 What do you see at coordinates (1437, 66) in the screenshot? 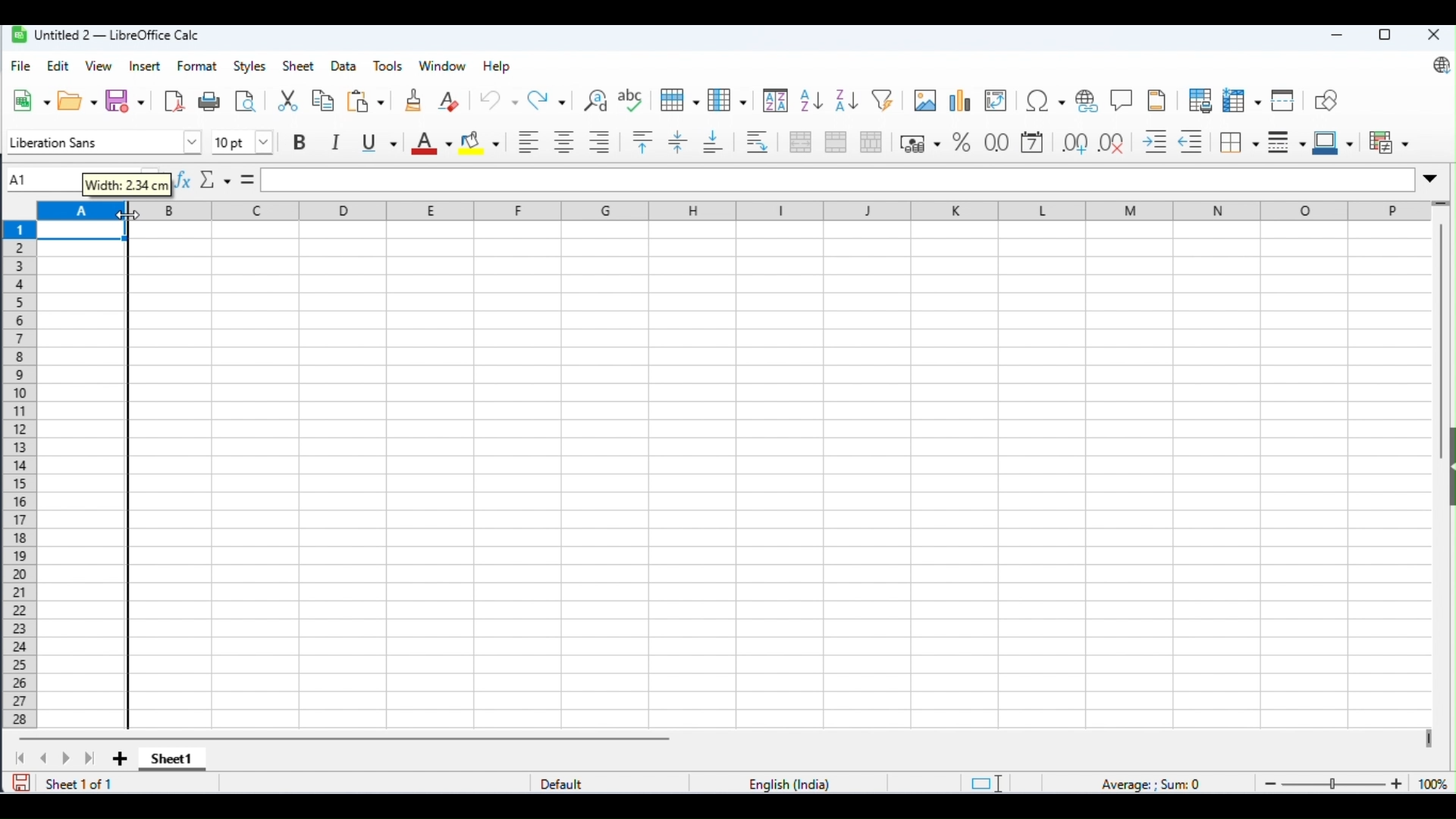
I see `update` at bounding box center [1437, 66].